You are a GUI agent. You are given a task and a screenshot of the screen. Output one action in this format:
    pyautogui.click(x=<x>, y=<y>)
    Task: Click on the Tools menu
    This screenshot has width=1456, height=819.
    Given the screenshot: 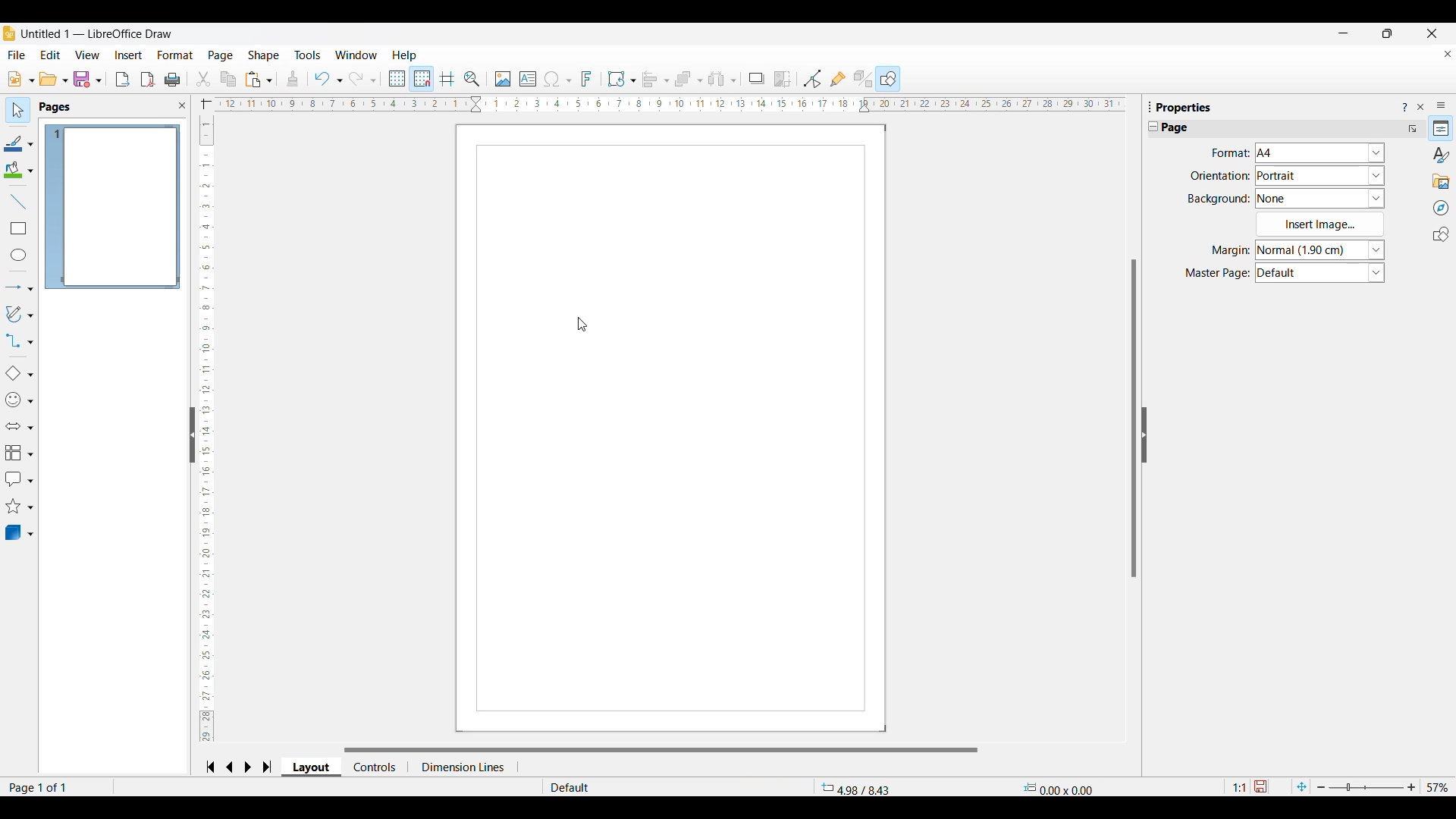 What is the action you would take?
    pyautogui.click(x=308, y=55)
    